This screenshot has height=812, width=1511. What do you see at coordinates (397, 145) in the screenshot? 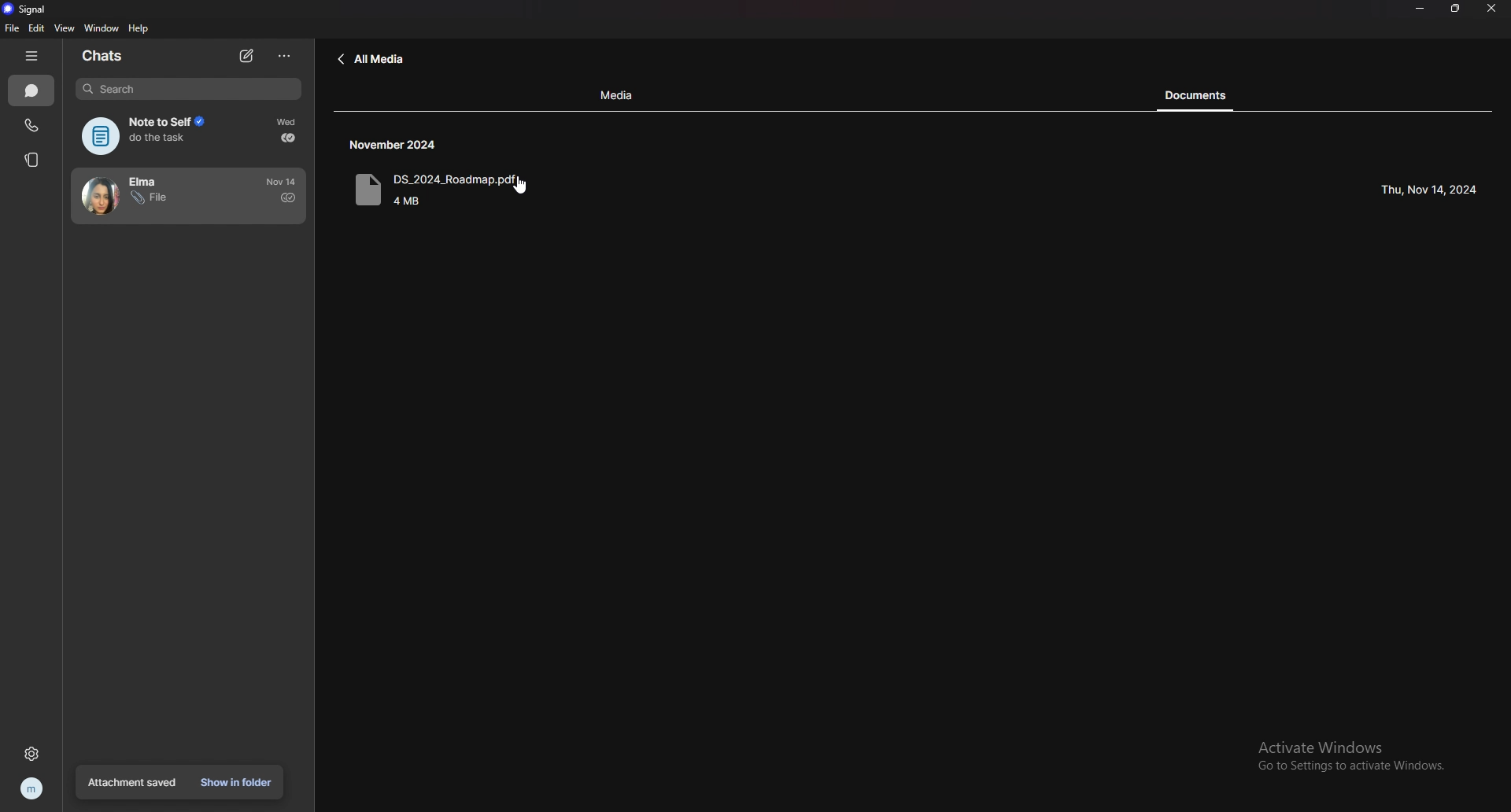
I see `time` at bounding box center [397, 145].